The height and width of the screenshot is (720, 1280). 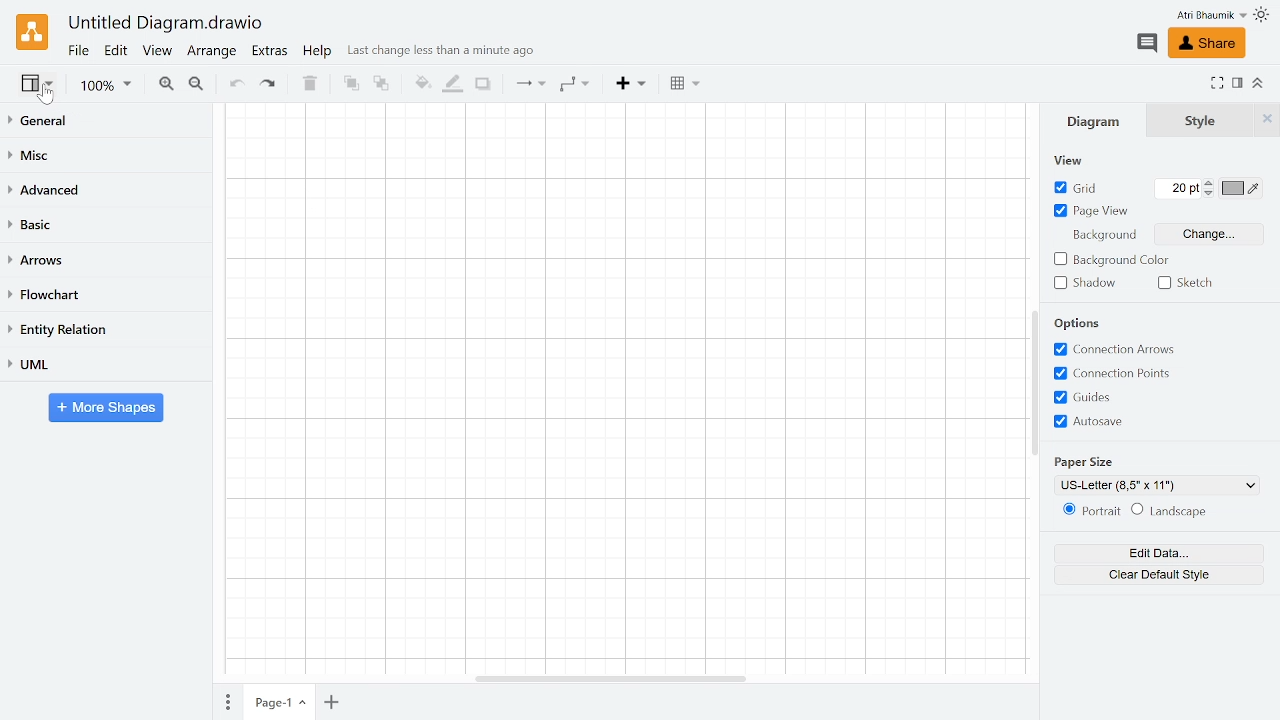 What do you see at coordinates (78, 51) in the screenshot?
I see `File` at bounding box center [78, 51].